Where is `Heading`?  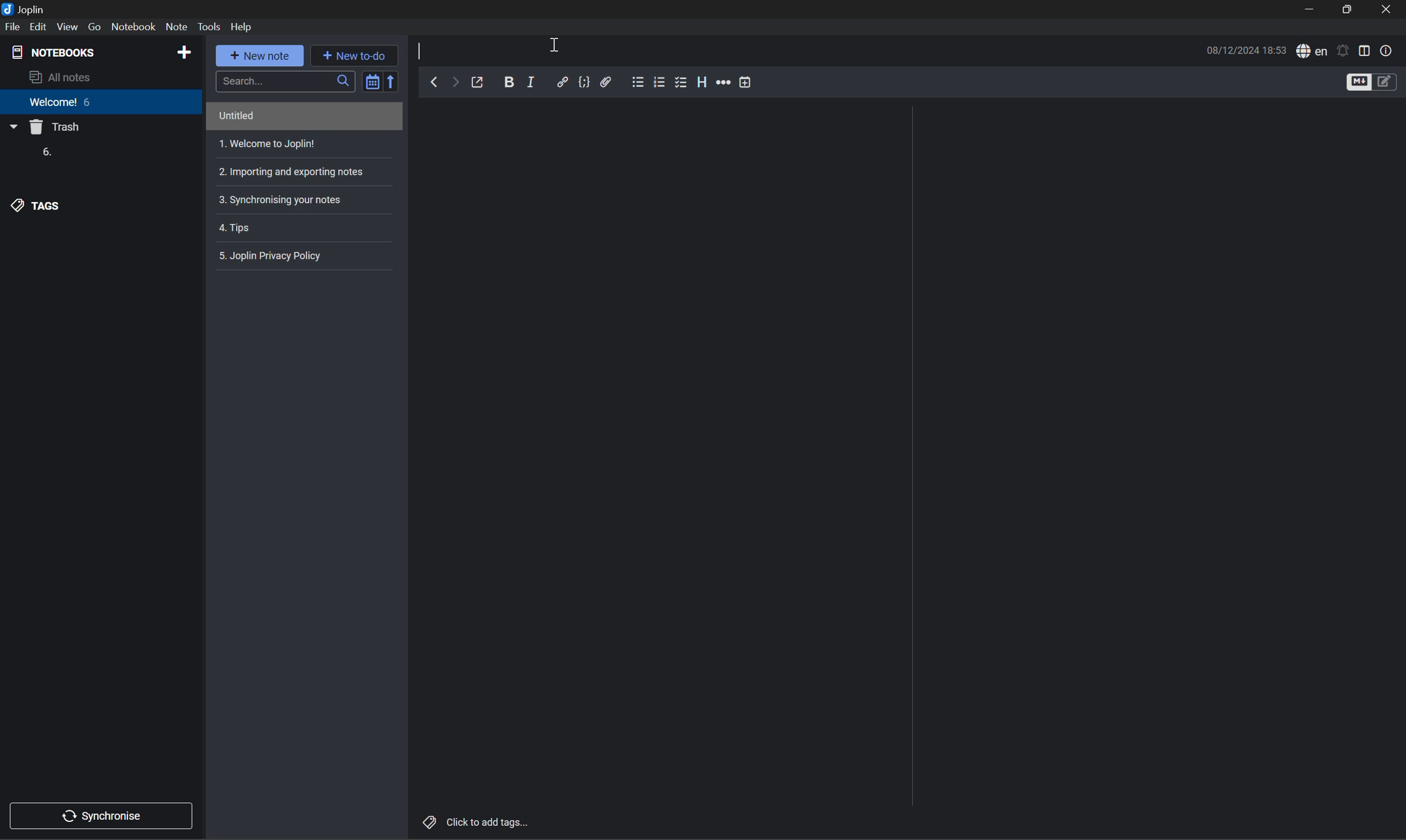
Heading is located at coordinates (702, 82).